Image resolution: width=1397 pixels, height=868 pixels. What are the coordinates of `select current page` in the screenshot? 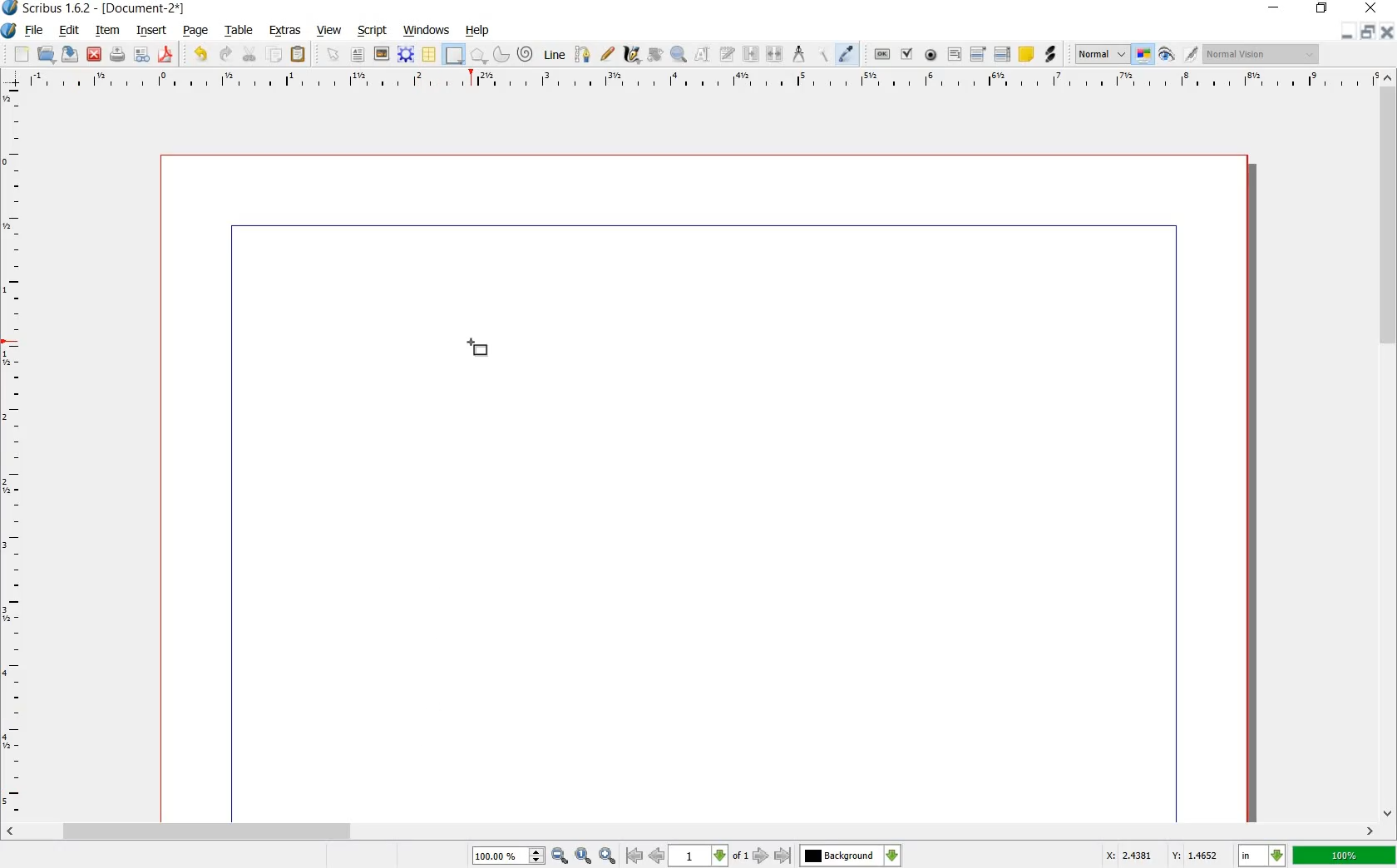 It's located at (708, 856).